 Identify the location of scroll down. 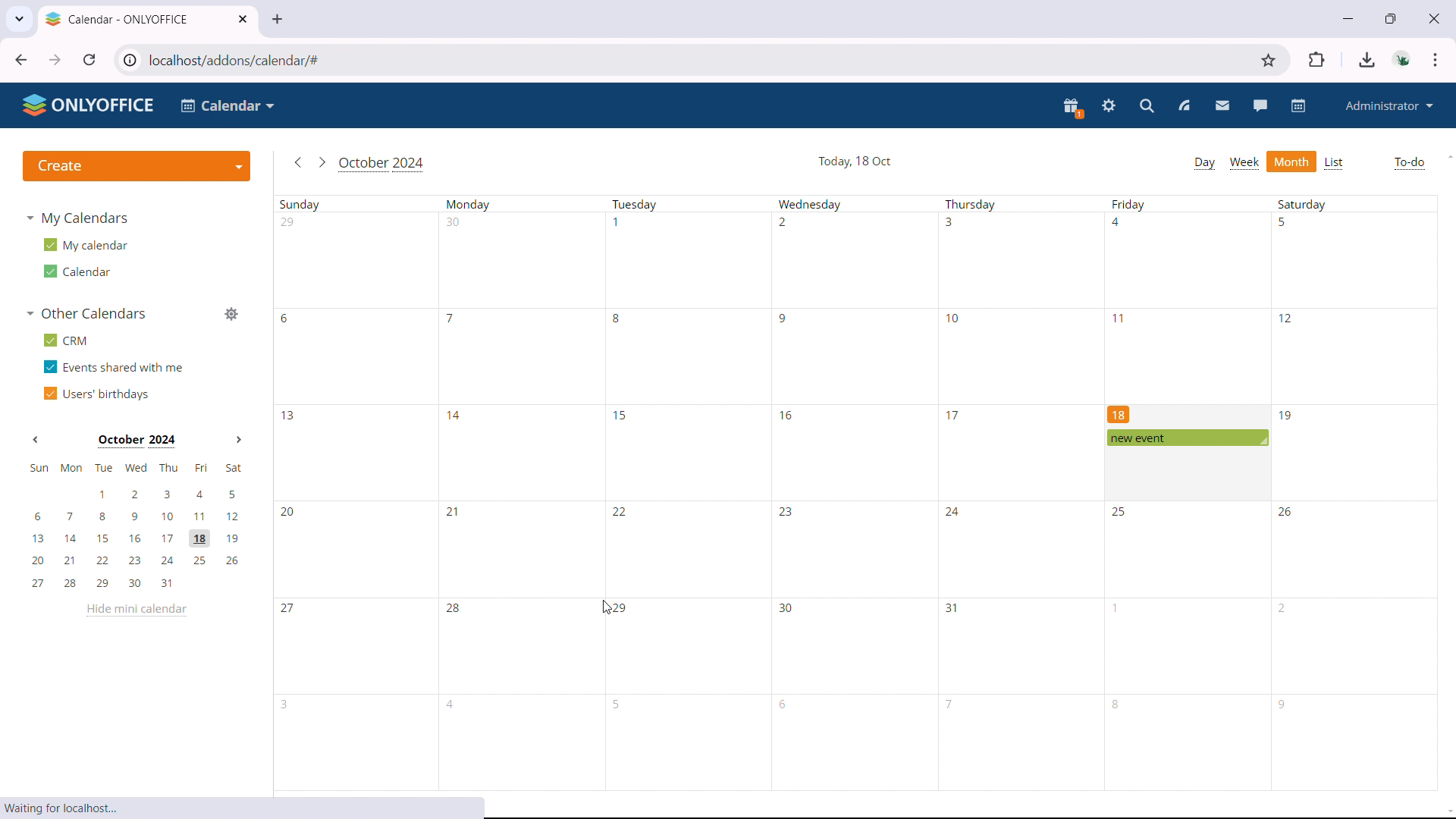
(1447, 813).